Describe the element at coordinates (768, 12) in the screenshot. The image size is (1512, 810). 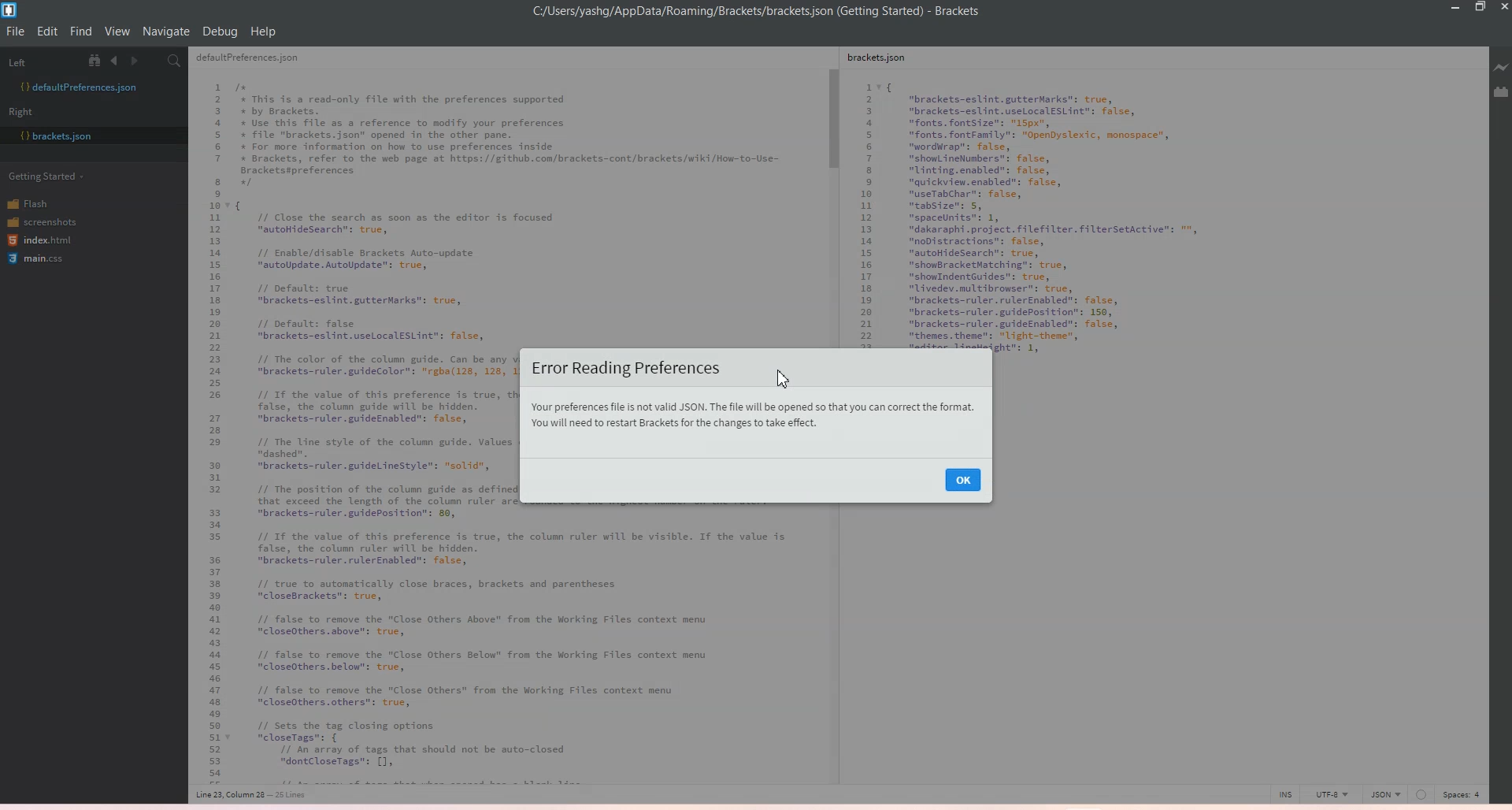
I see `C/Users/yashg/AppData/Roaming/Brackets/brackets json (Getting Started) - Brackets` at that location.